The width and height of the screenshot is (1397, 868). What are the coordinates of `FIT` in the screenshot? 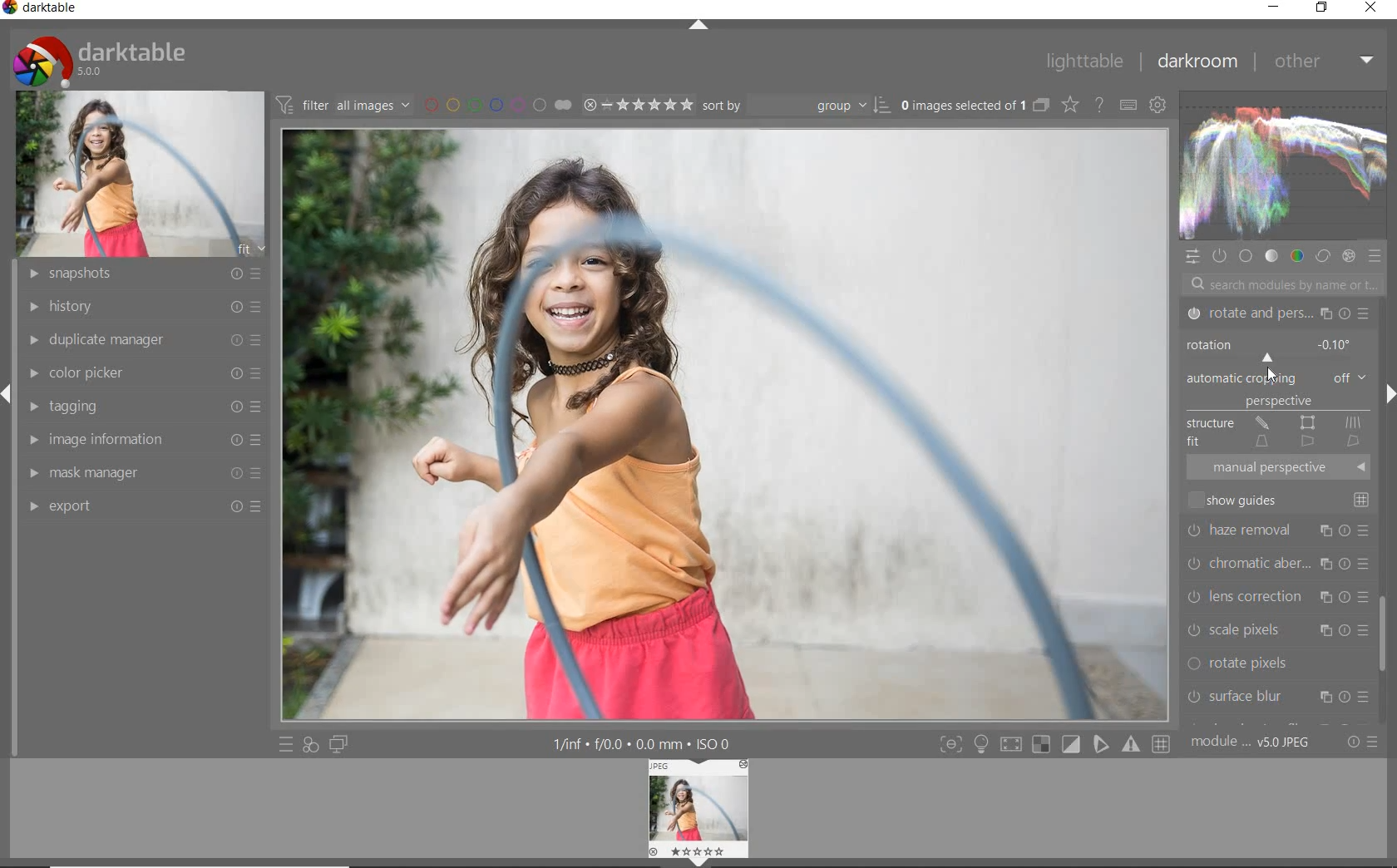 It's located at (1276, 441).